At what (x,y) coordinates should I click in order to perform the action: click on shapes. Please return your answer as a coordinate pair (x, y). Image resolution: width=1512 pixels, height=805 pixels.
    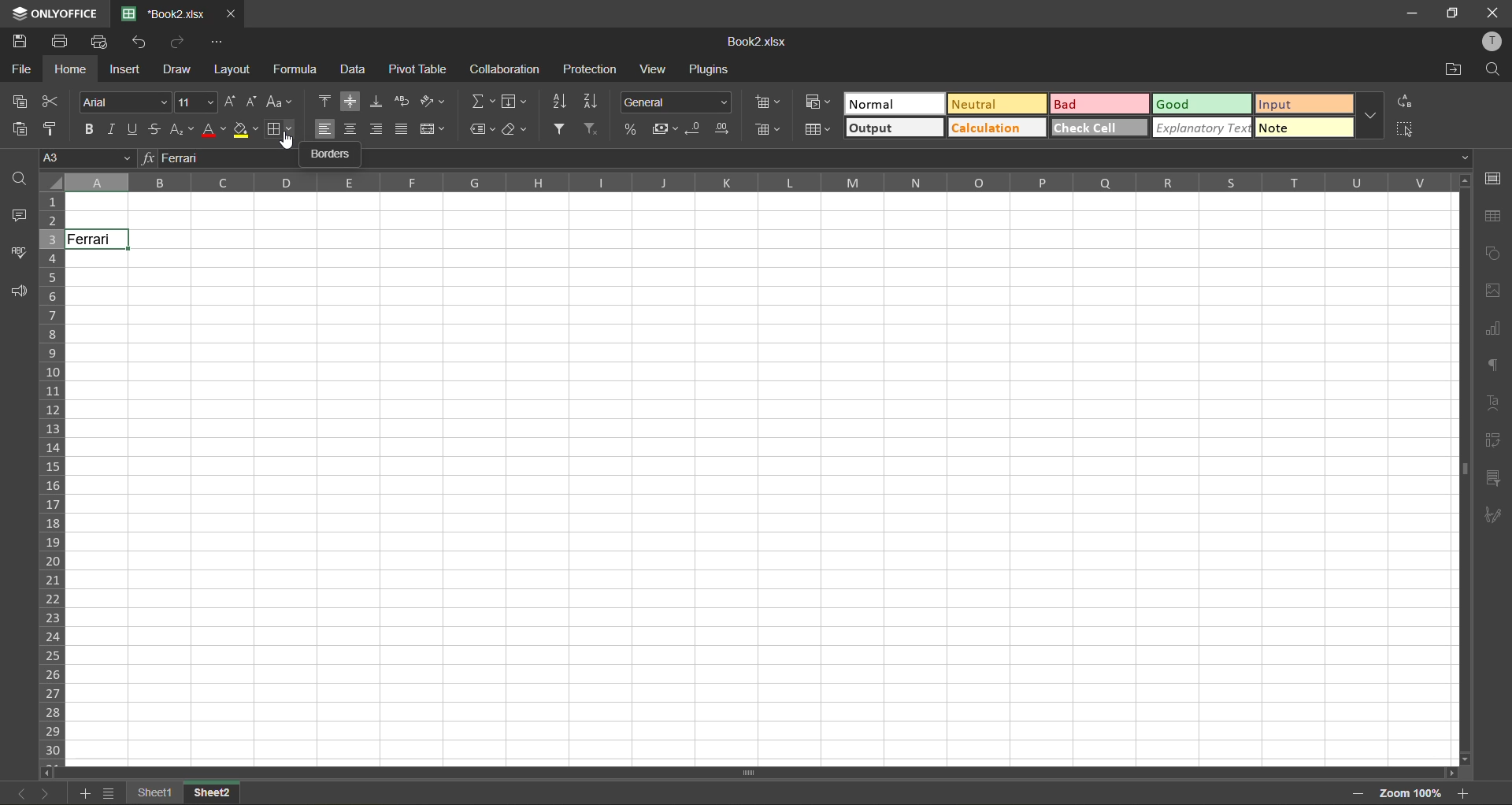
    Looking at the image, I should click on (1492, 251).